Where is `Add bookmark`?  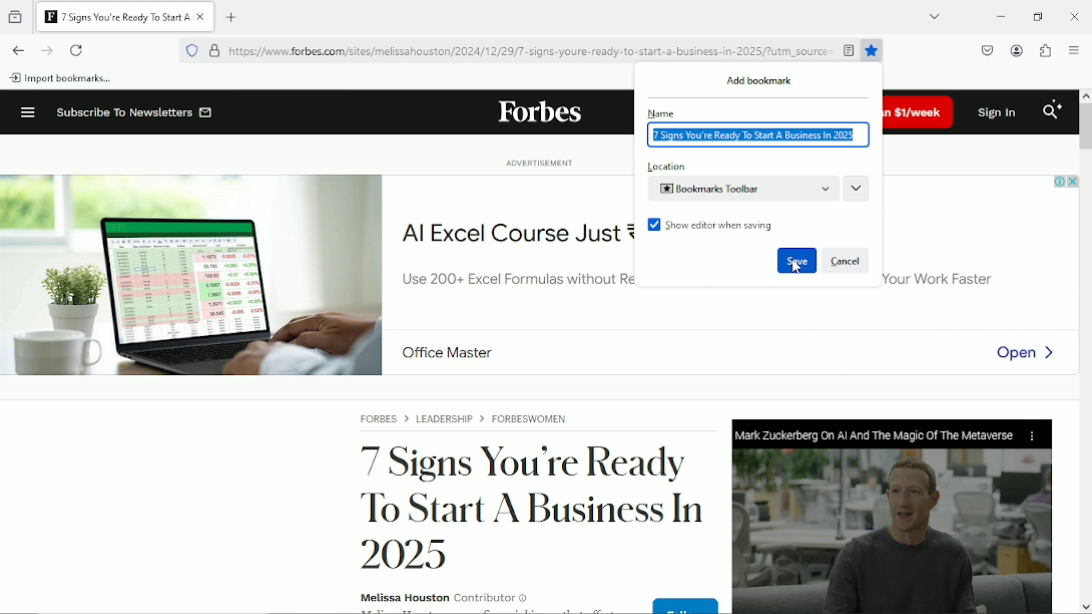 Add bookmark is located at coordinates (761, 81).